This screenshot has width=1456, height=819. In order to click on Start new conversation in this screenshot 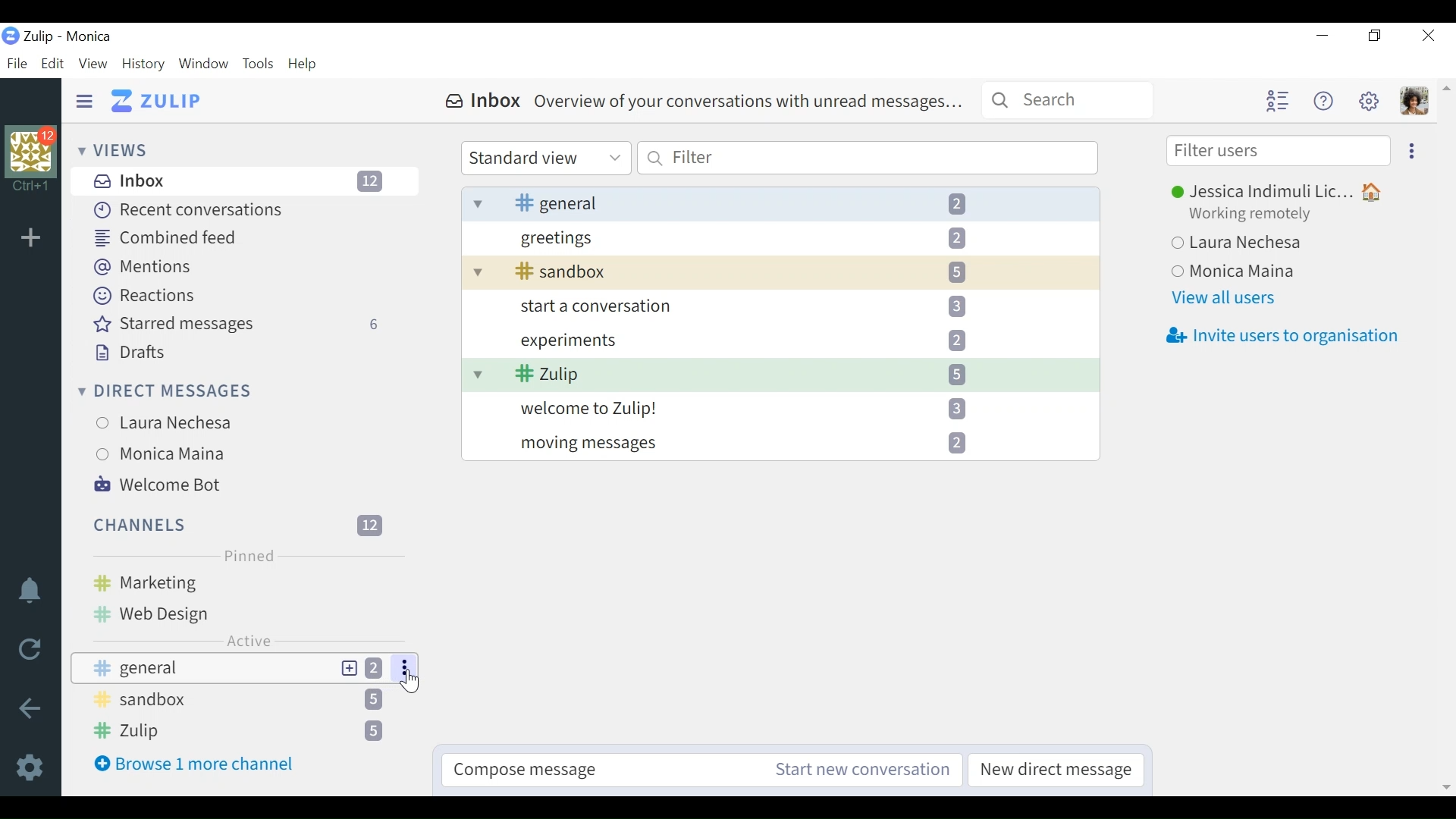, I will do `click(863, 770)`.